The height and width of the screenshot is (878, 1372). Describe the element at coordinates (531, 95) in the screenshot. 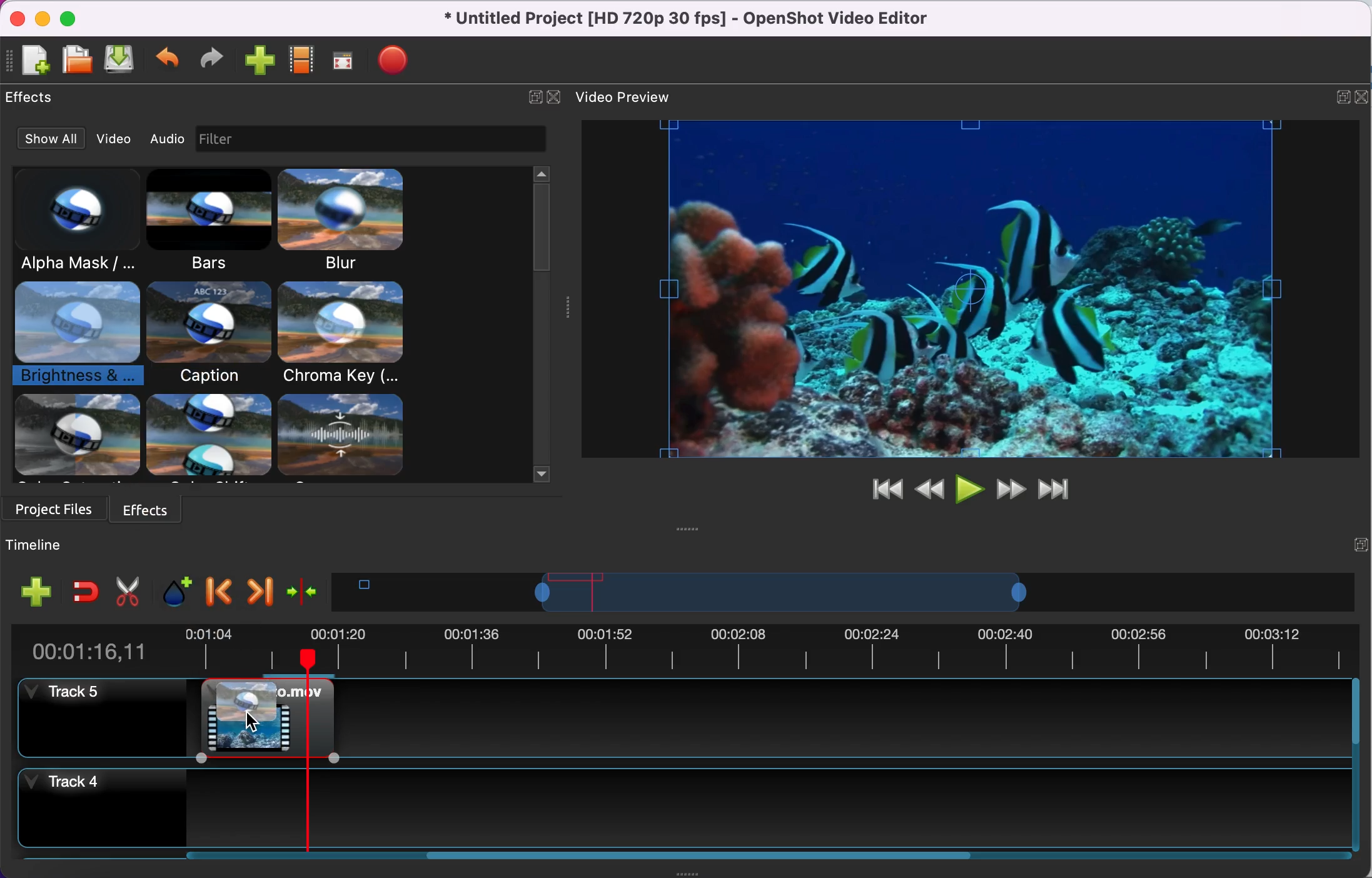

I see `expand/hide` at that location.